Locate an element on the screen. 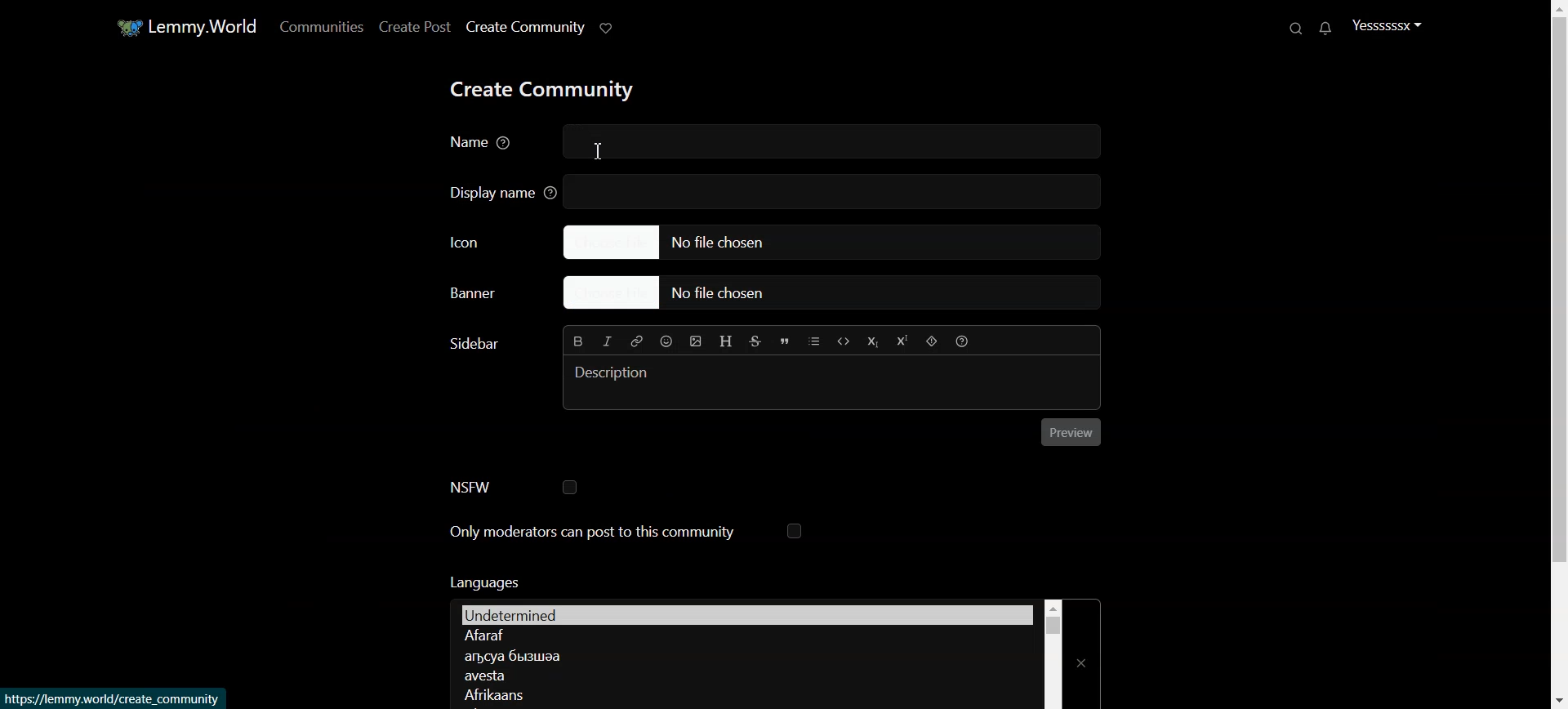  Choose file is located at coordinates (834, 294).